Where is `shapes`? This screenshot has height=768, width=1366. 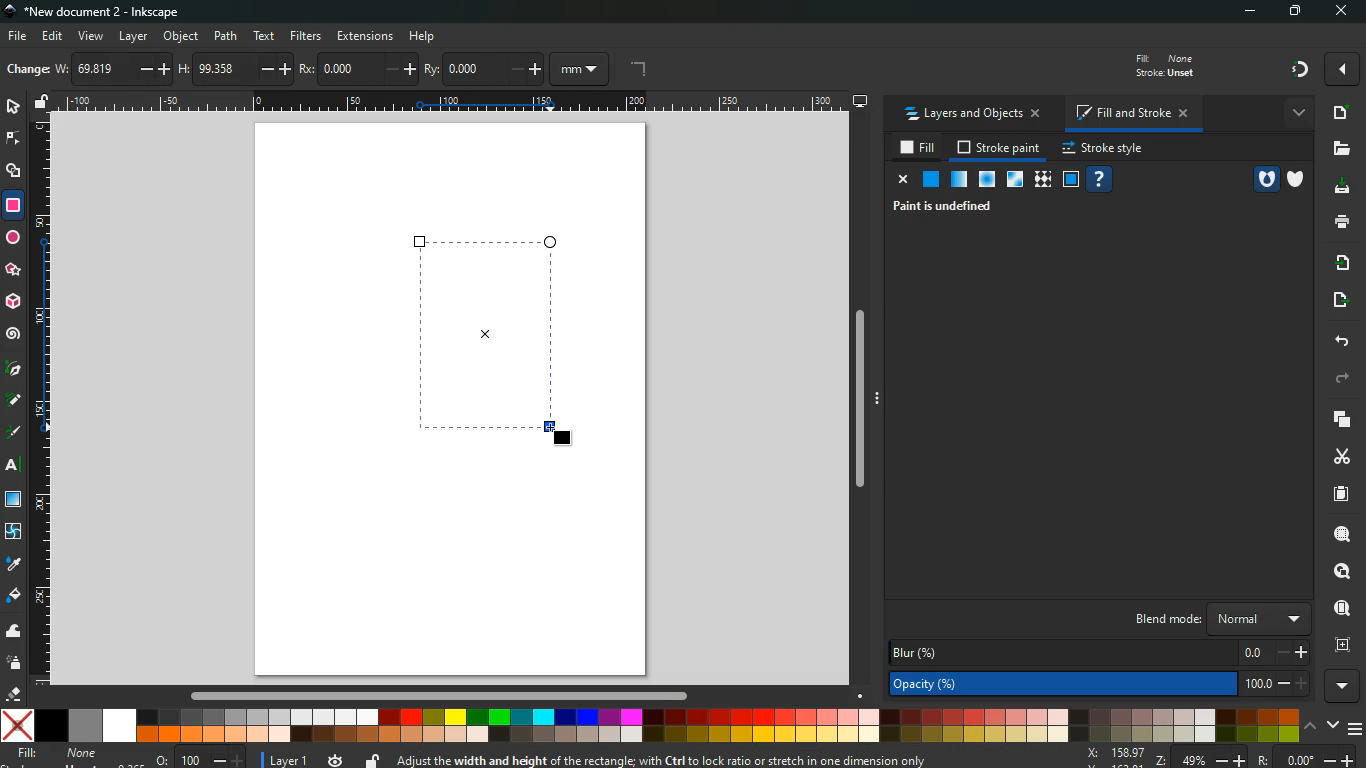 shapes is located at coordinates (15, 174).